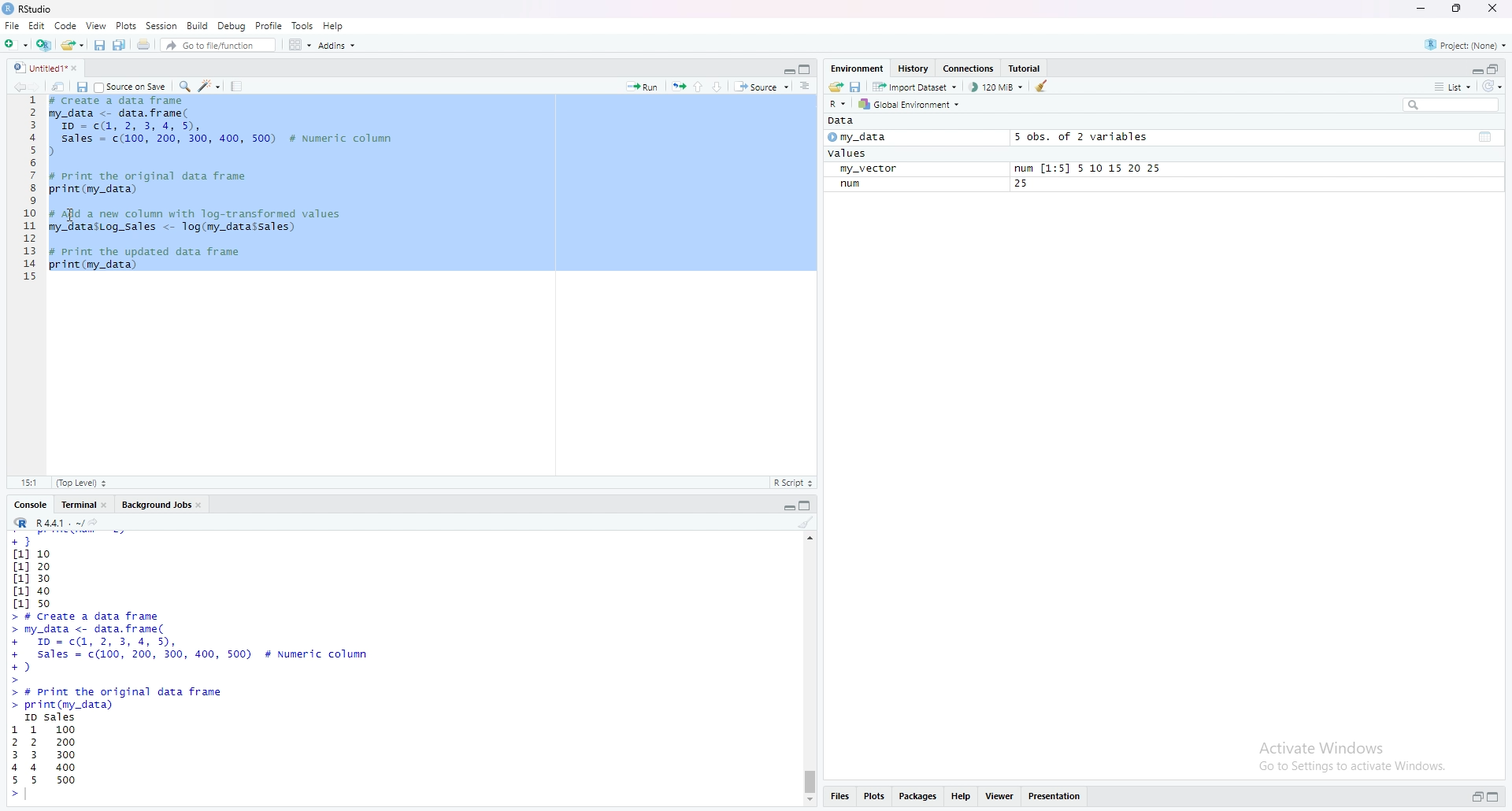 The image size is (1512, 811). What do you see at coordinates (798, 483) in the screenshot?
I see `R Script` at bounding box center [798, 483].